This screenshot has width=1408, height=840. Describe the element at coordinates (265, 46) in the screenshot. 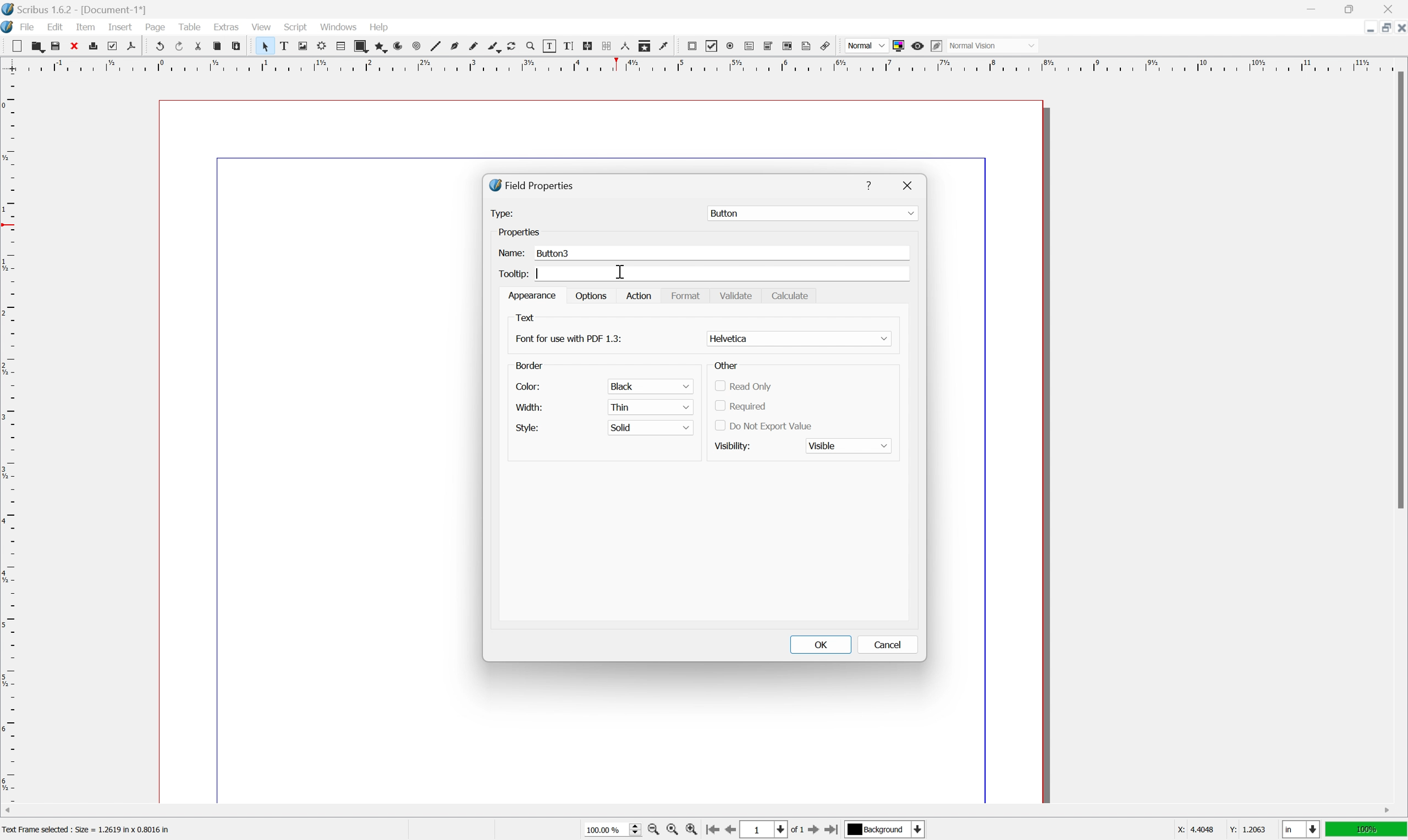

I see `select item` at that location.